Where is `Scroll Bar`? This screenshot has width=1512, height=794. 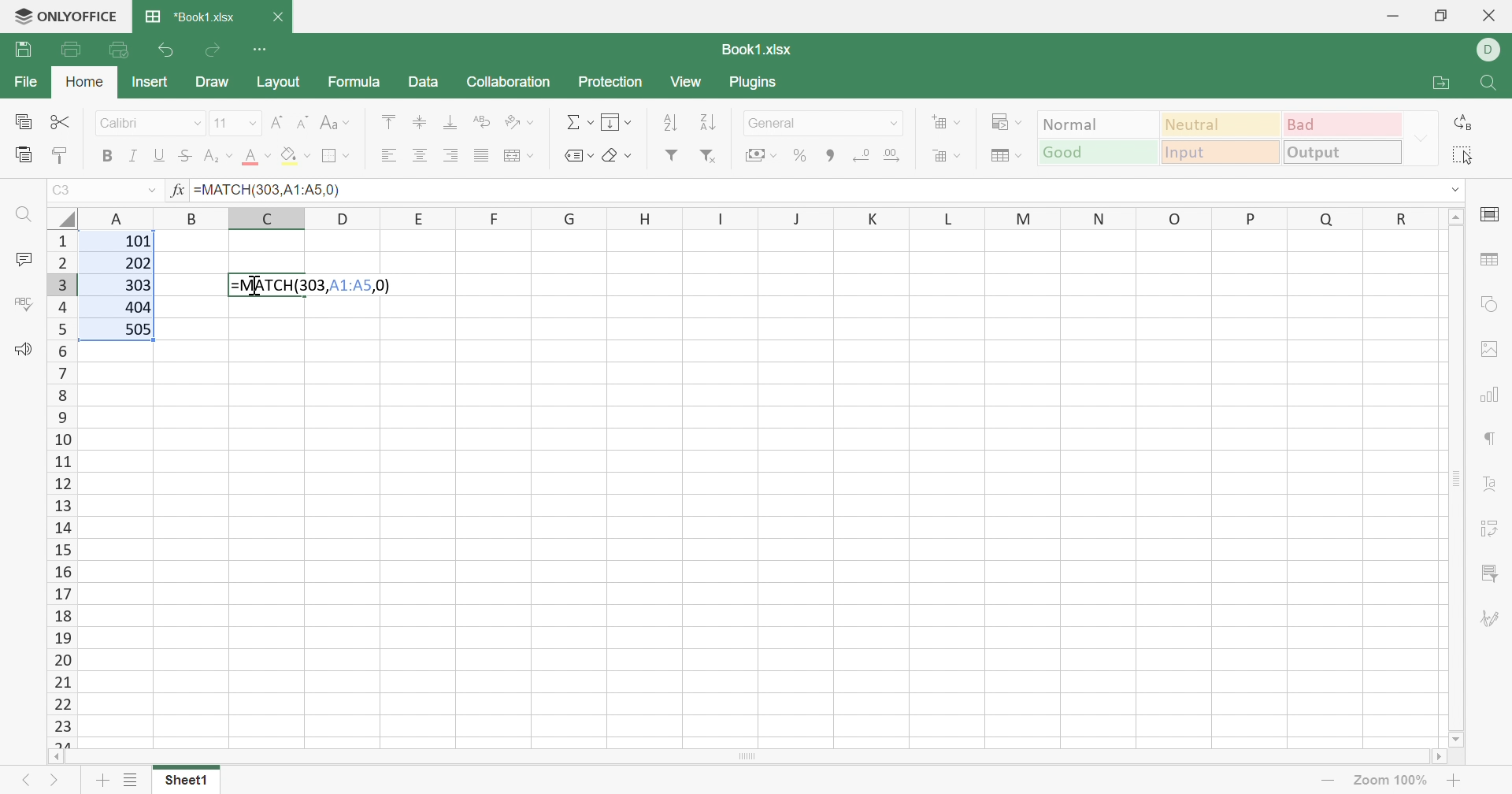 Scroll Bar is located at coordinates (752, 762).